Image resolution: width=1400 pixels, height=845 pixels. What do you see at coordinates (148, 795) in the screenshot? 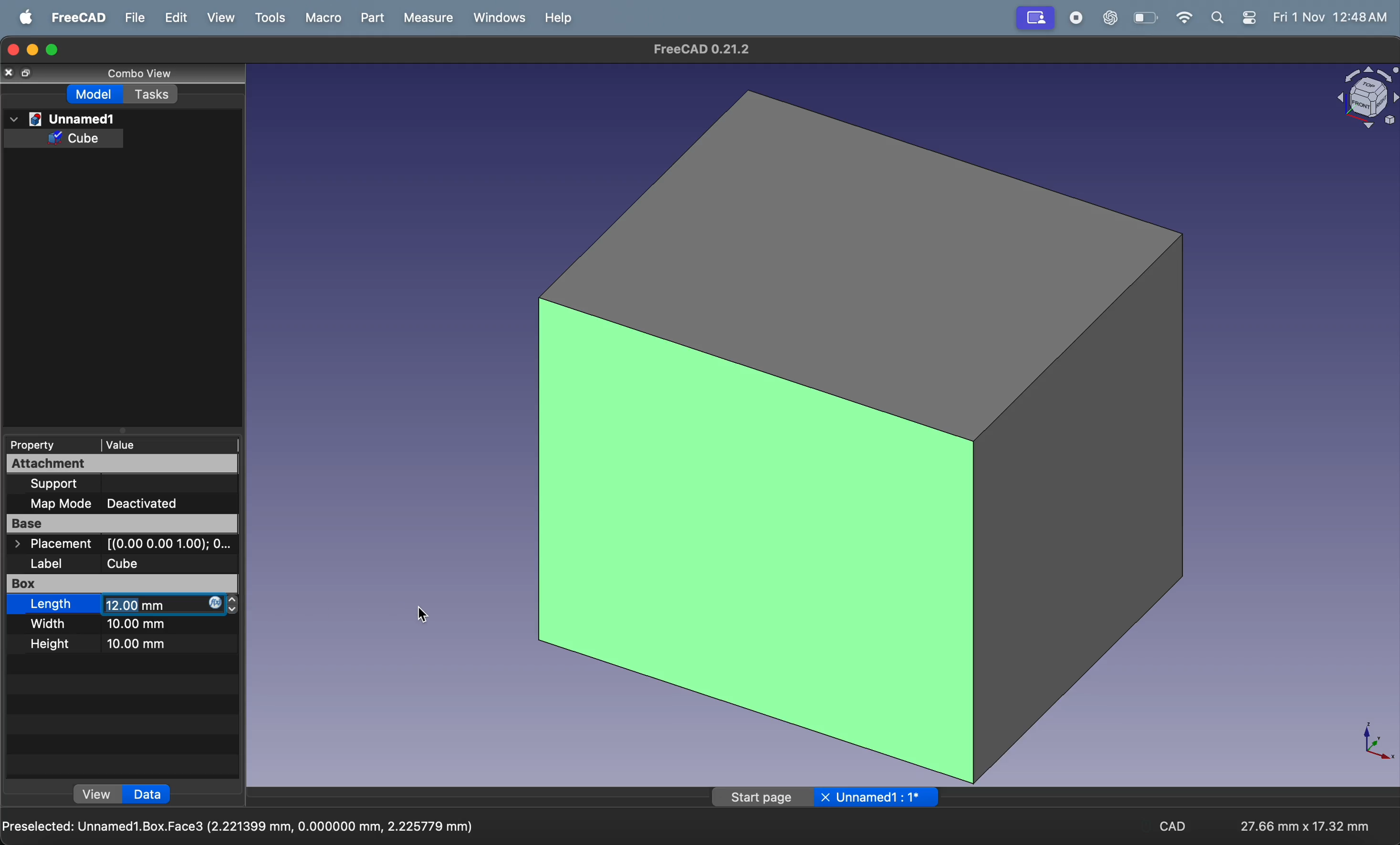
I see `Data` at bounding box center [148, 795].